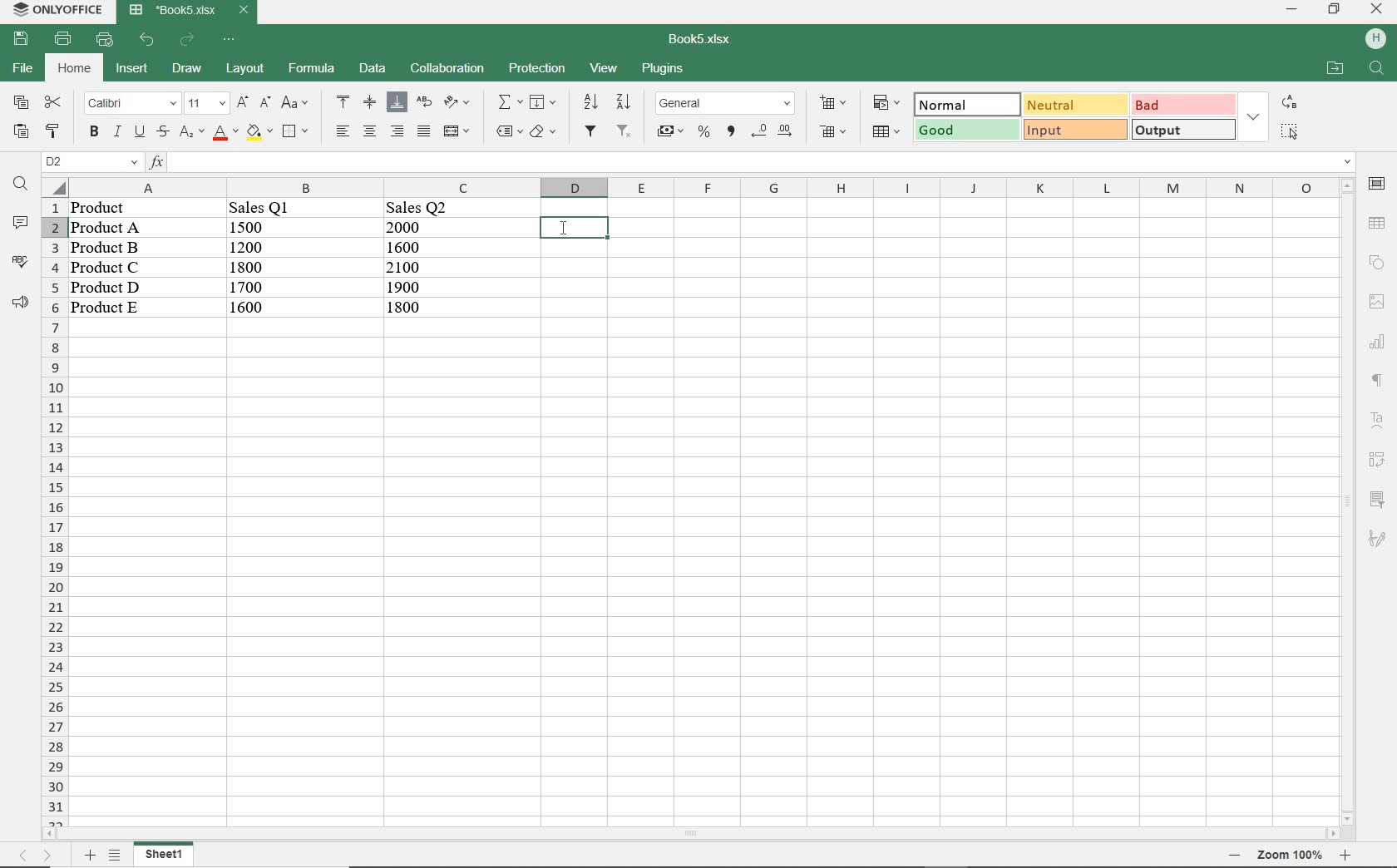  What do you see at coordinates (753, 163) in the screenshot?
I see `input functions` at bounding box center [753, 163].